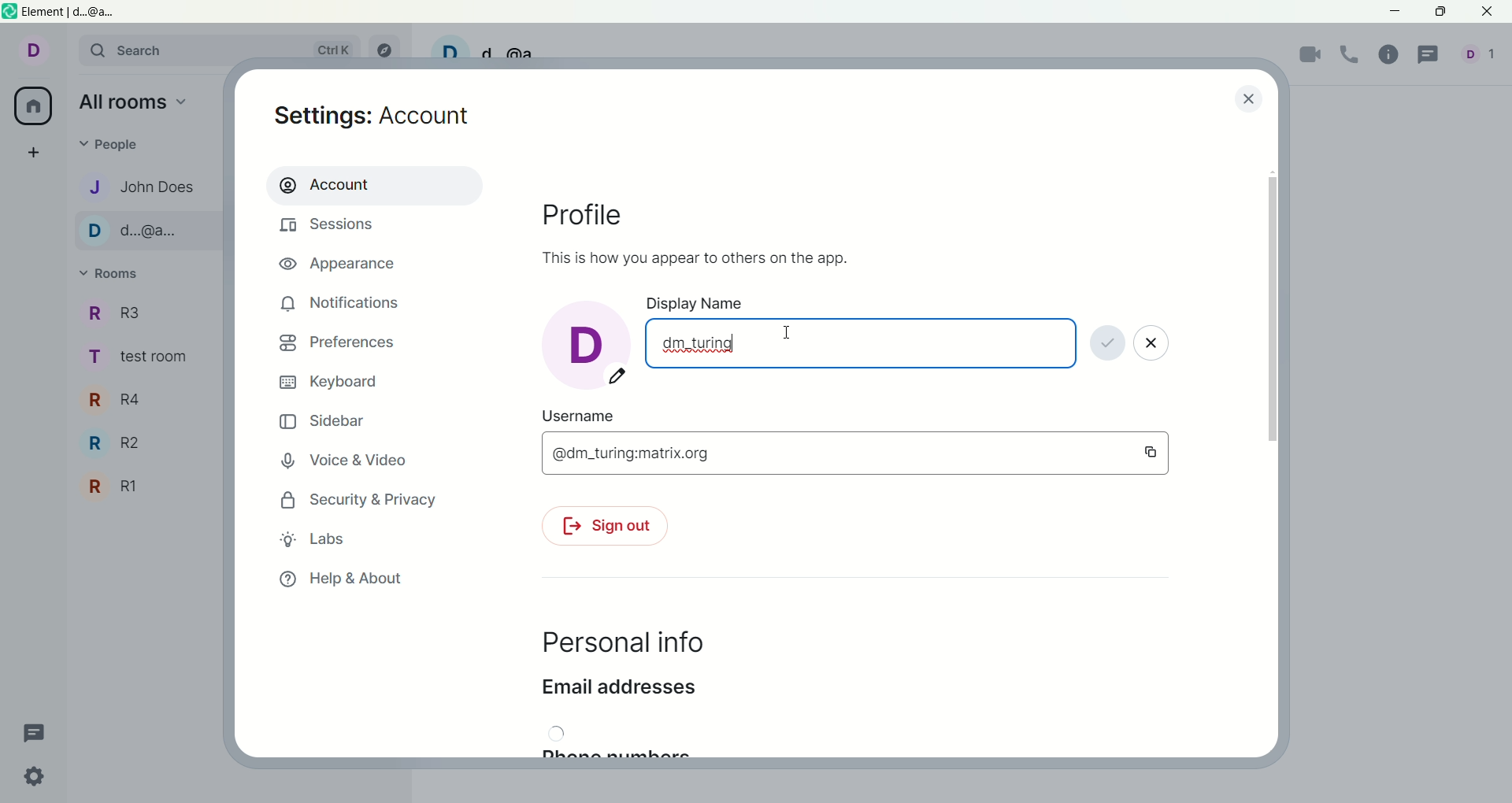 Image resolution: width=1512 pixels, height=803 pixels. Describe the element at coordinates (1440, 12) in the screenshot. I see `maximize` at that location.